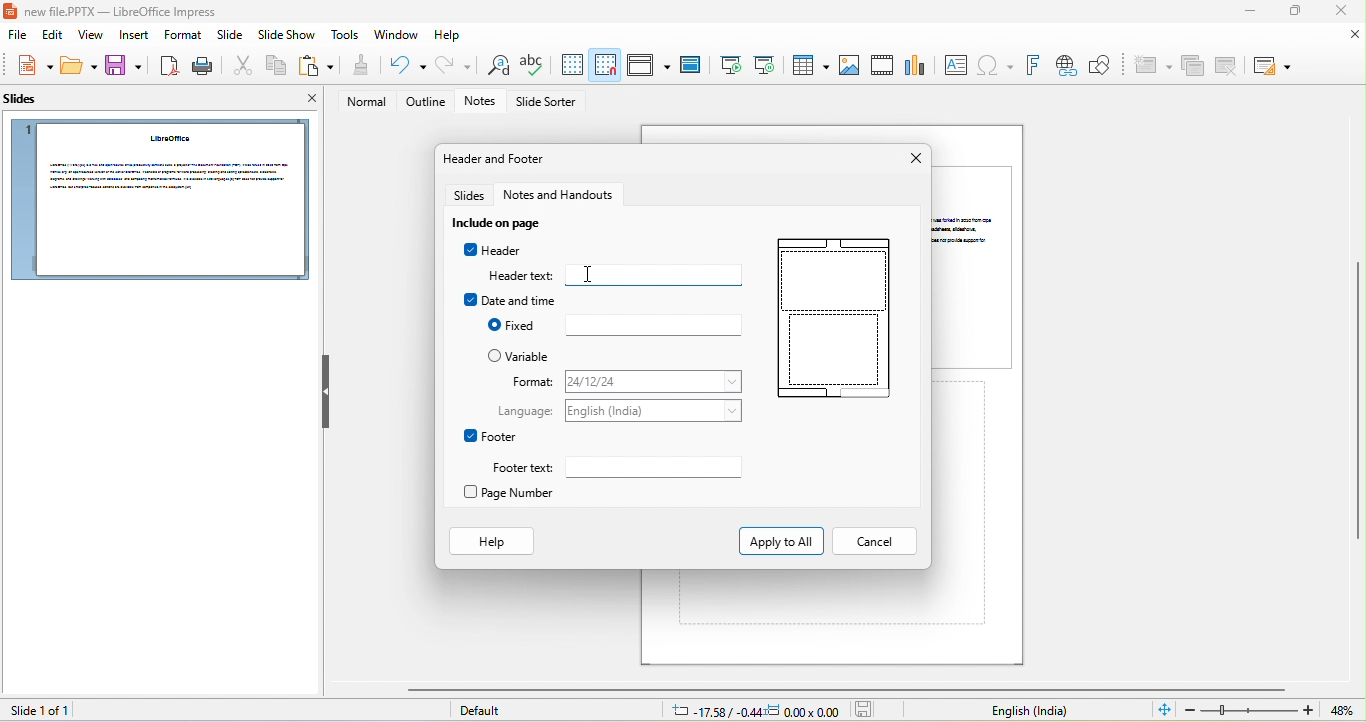 The image size is (1366, 722). Describe the element at coordinates (158, 200) in the screenshot. I see `slide 1` at that location.